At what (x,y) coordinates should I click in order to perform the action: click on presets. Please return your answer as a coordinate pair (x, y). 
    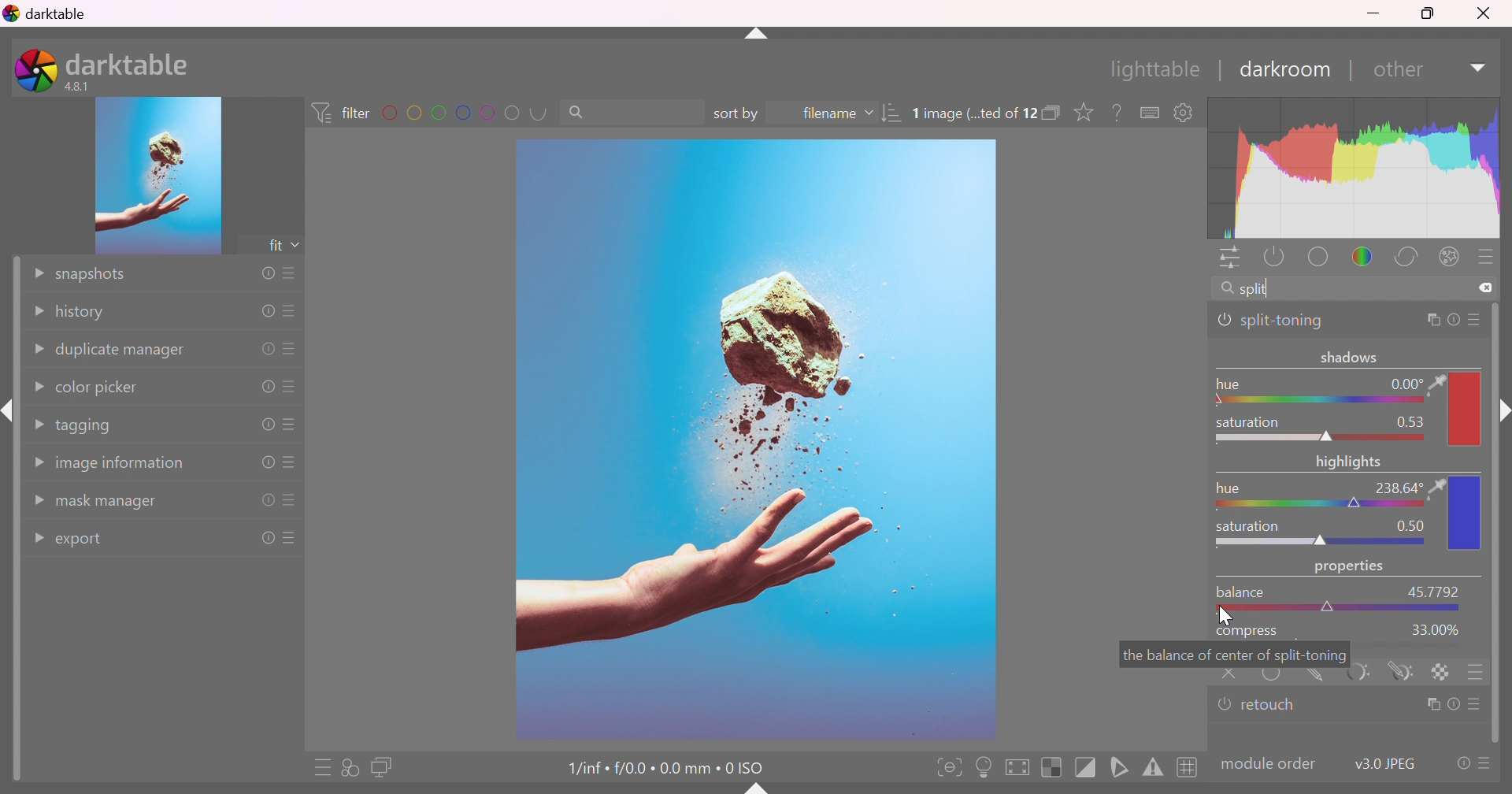
    Looking at the image, I should click on (292, 275).